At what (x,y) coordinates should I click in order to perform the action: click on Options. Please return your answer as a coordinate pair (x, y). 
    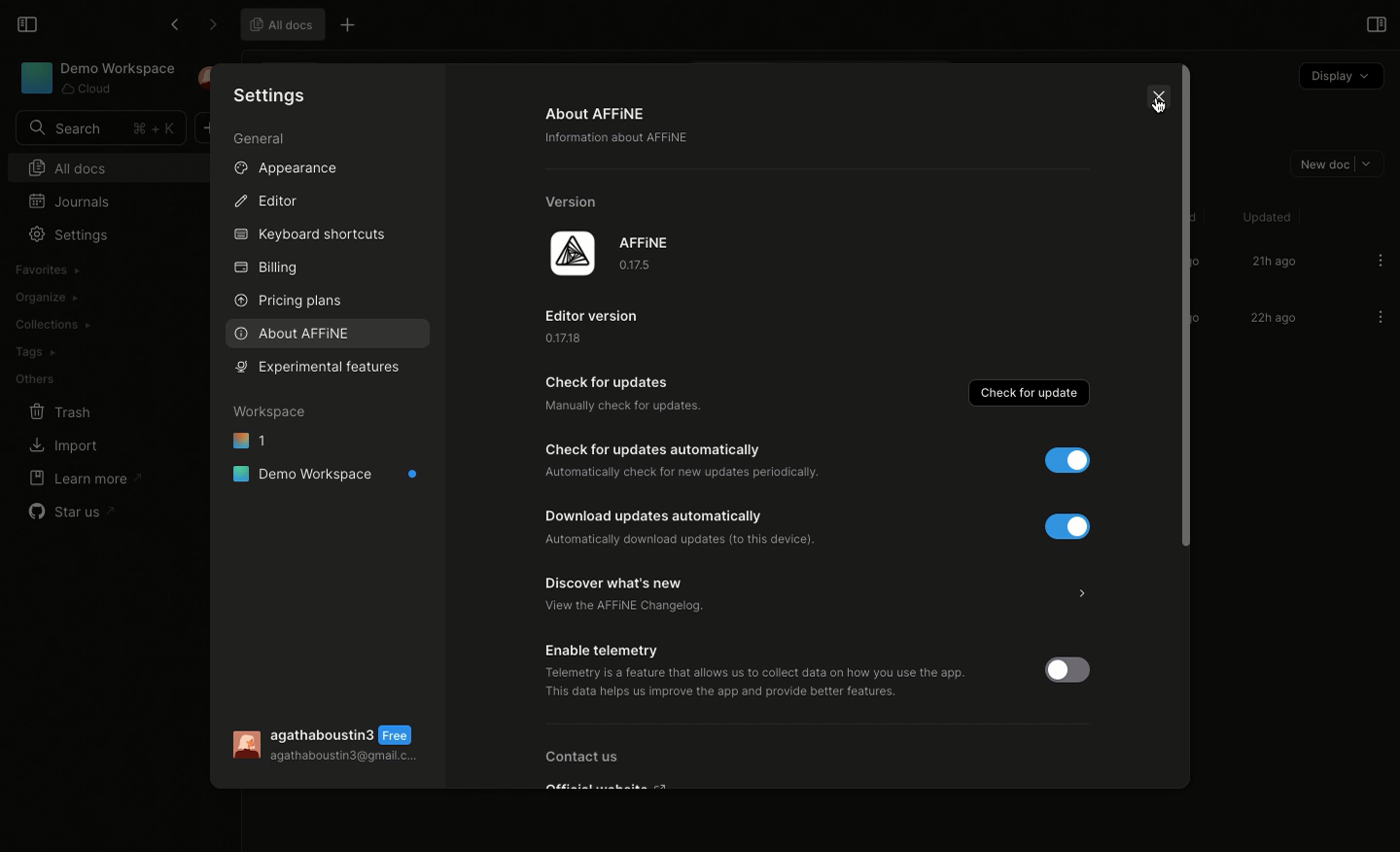
    Looking at the image, I should click on (1381, 260).